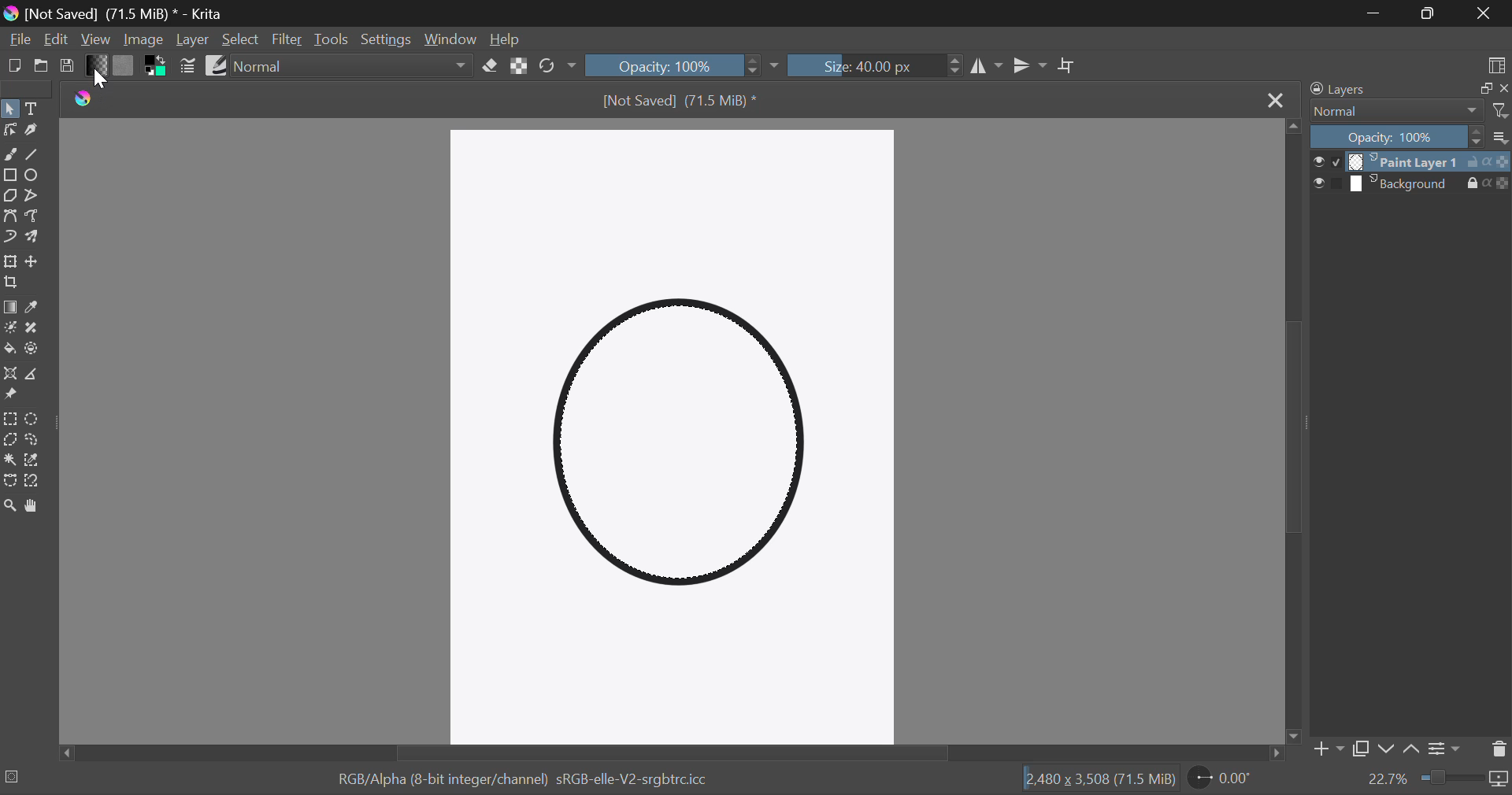 The height and width of the screenshot is (795, 1512). Describe the element at coordinates (18, 39) in the screenshot. I see `File` at that location.